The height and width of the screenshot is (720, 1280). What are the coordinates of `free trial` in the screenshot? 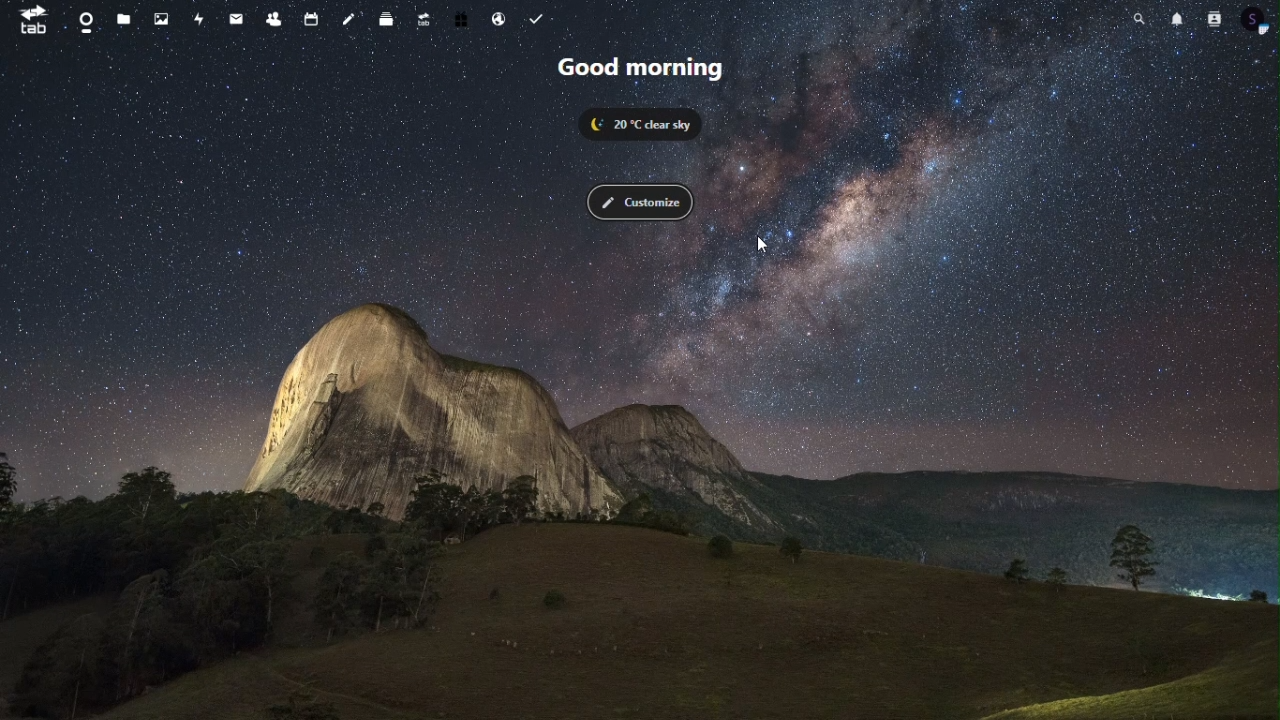 It's located at (464, 21).